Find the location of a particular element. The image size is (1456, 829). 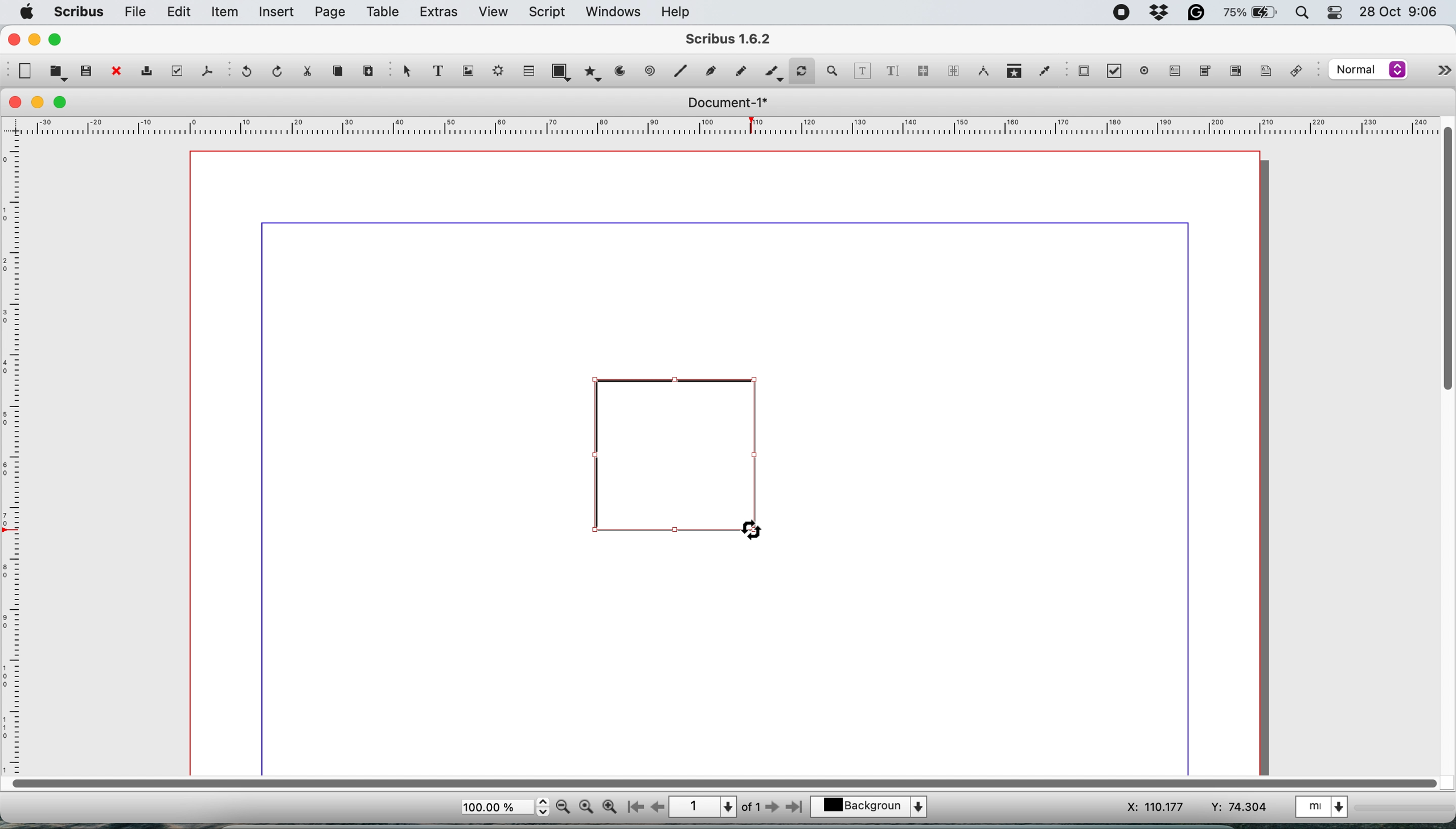

horizontal scroll bar is located at coordinates (720, 782).